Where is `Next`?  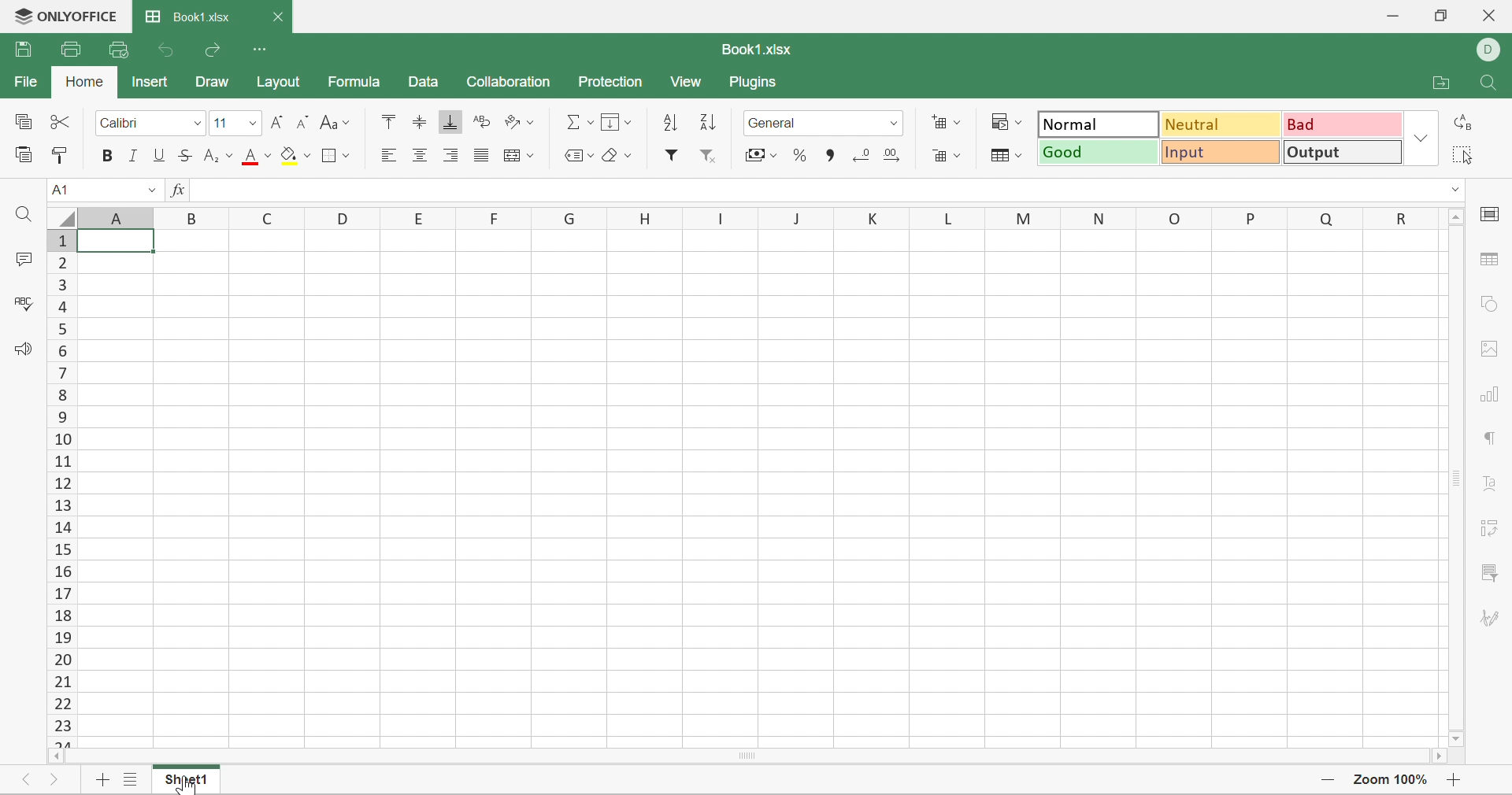 Next is located at coordinates (51, 782).